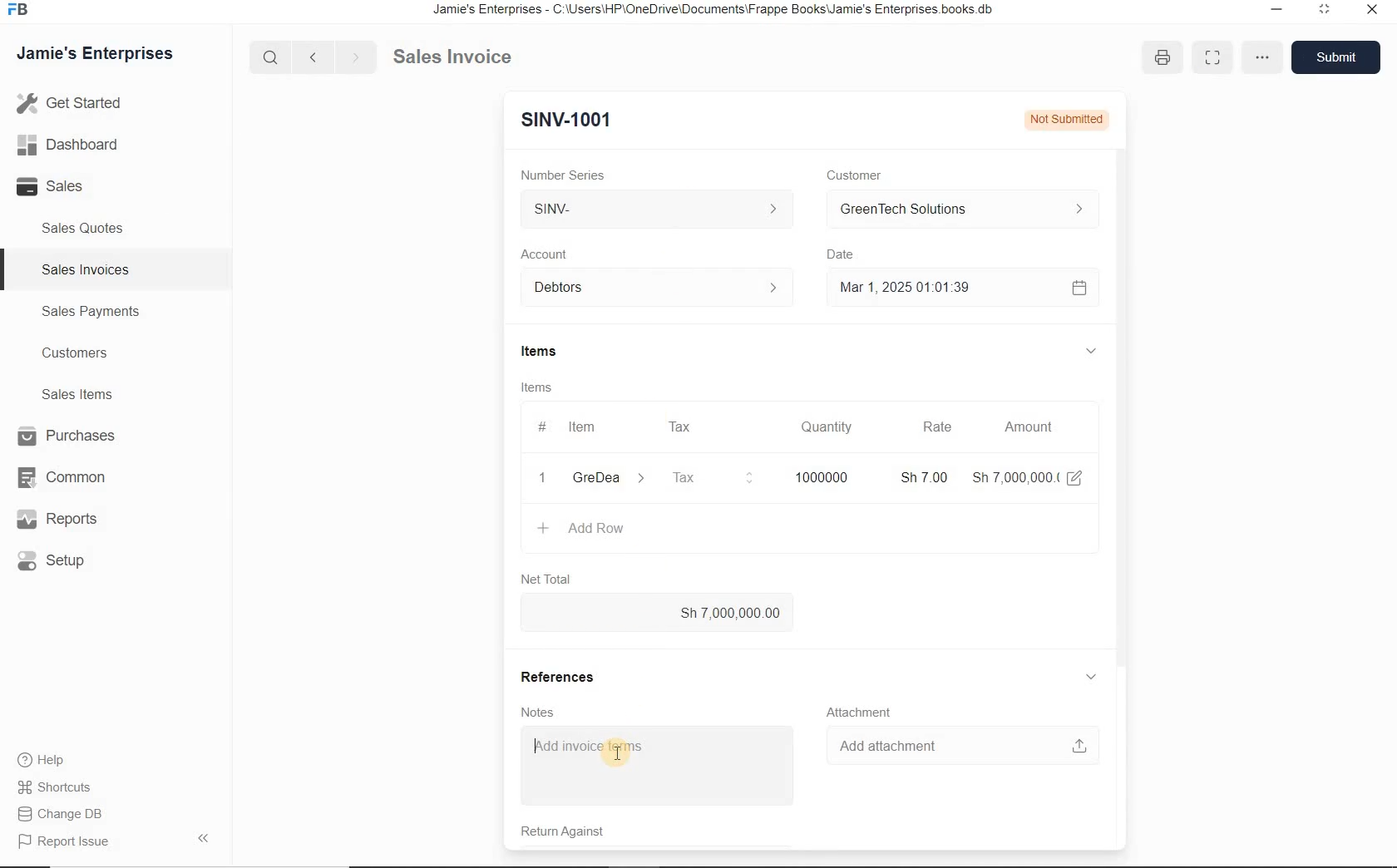 The width and height of the screenshot is (1397, 868). Describe the element at coordinates (274, 57) in the screenshot. I see `search` at that location.